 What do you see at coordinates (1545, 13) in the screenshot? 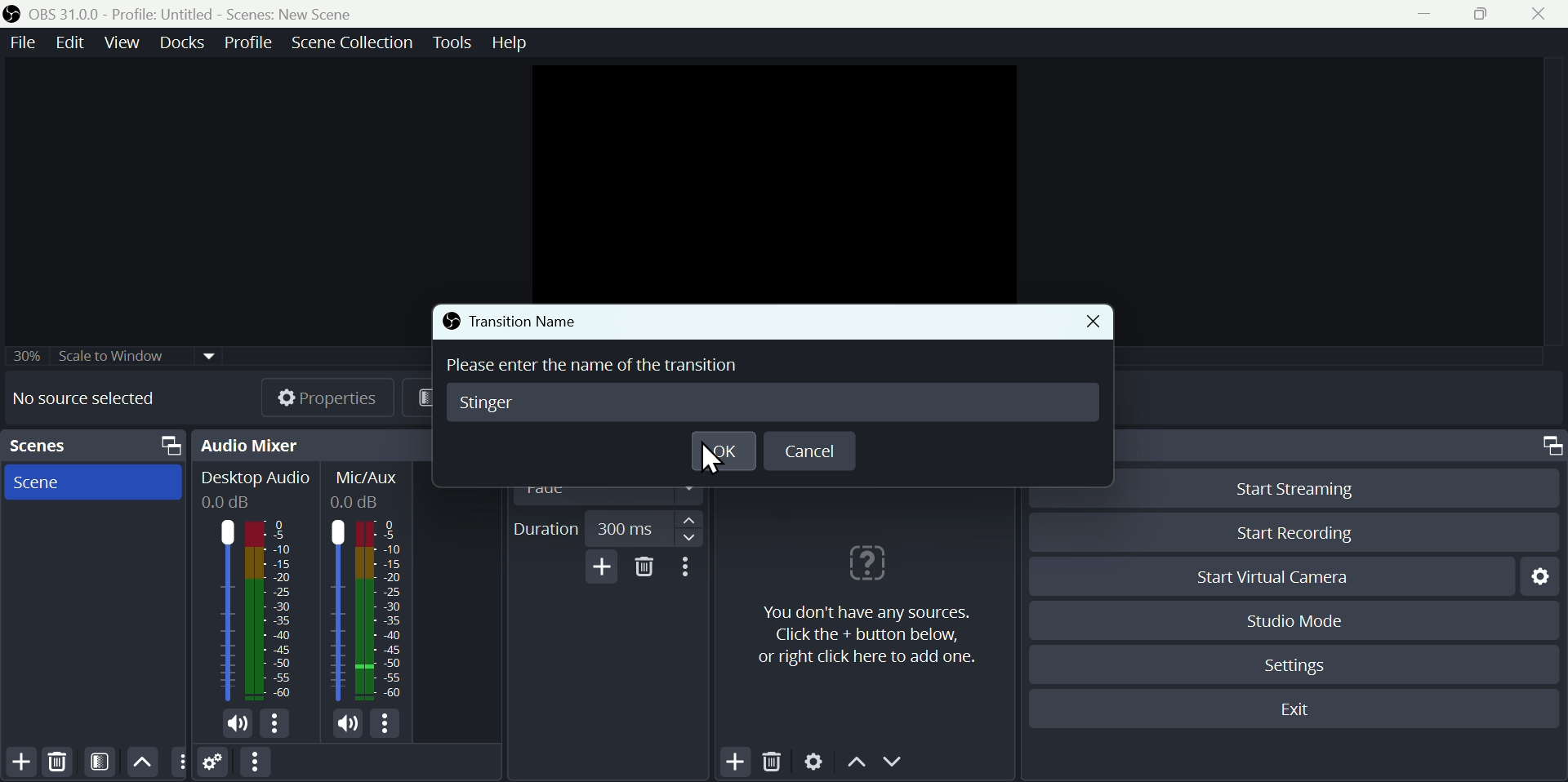
I see `Close` at bounding box center [1545, 13].